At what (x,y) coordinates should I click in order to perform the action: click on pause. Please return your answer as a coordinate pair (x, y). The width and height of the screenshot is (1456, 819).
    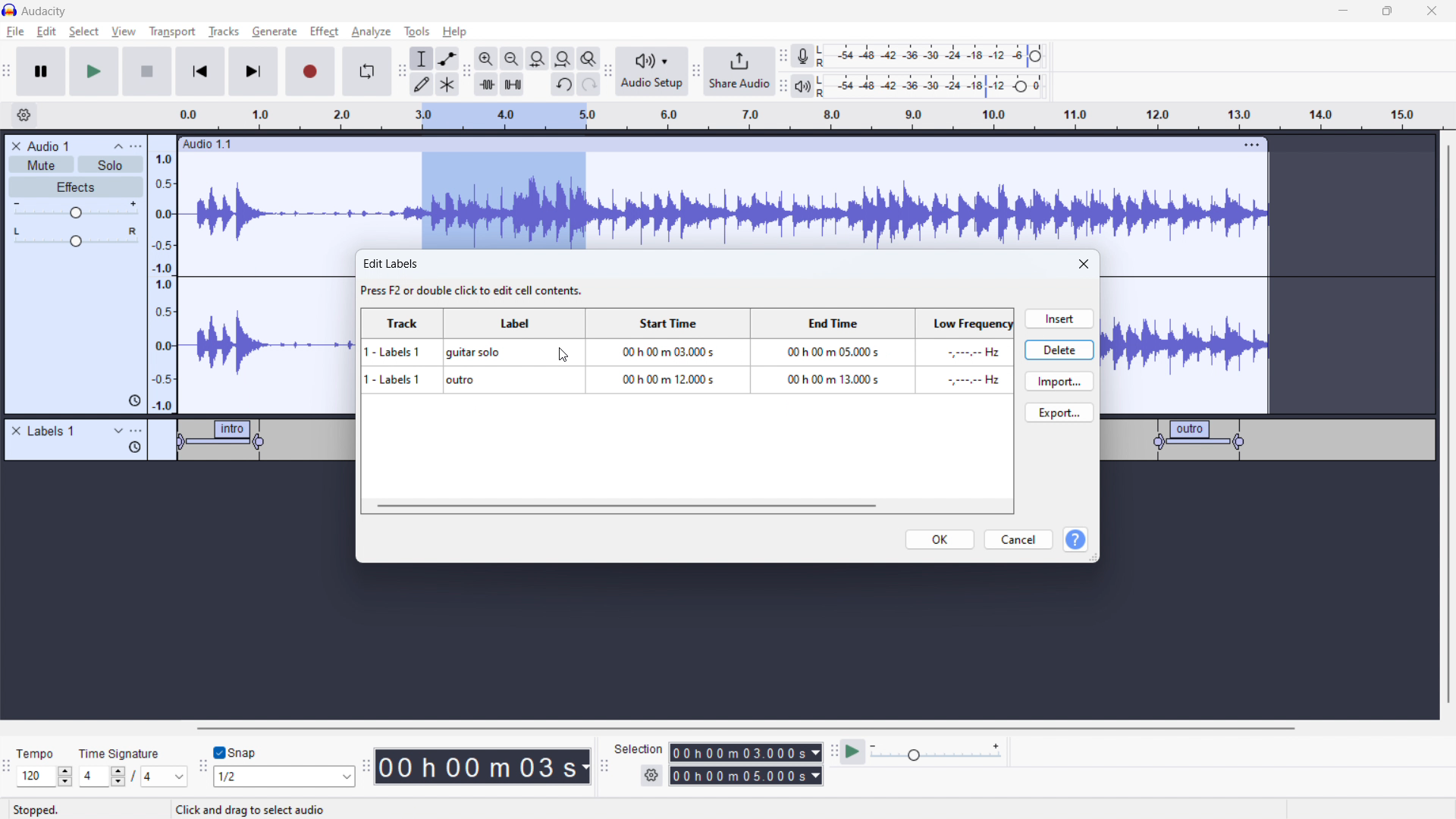
    Looking at the image, I should click on (41, 72).